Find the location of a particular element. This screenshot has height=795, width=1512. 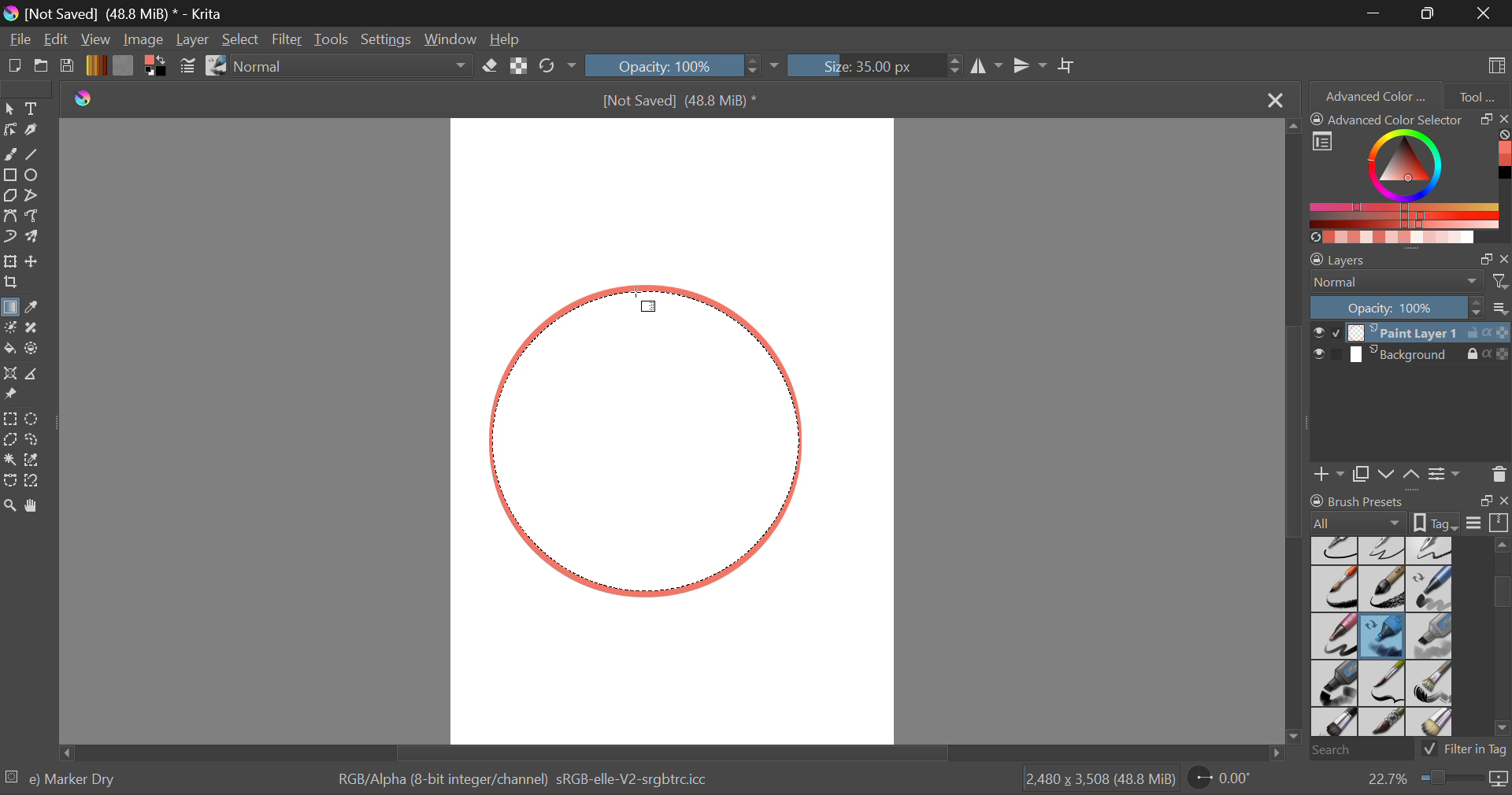

Window is located at coordinates (455, 40).